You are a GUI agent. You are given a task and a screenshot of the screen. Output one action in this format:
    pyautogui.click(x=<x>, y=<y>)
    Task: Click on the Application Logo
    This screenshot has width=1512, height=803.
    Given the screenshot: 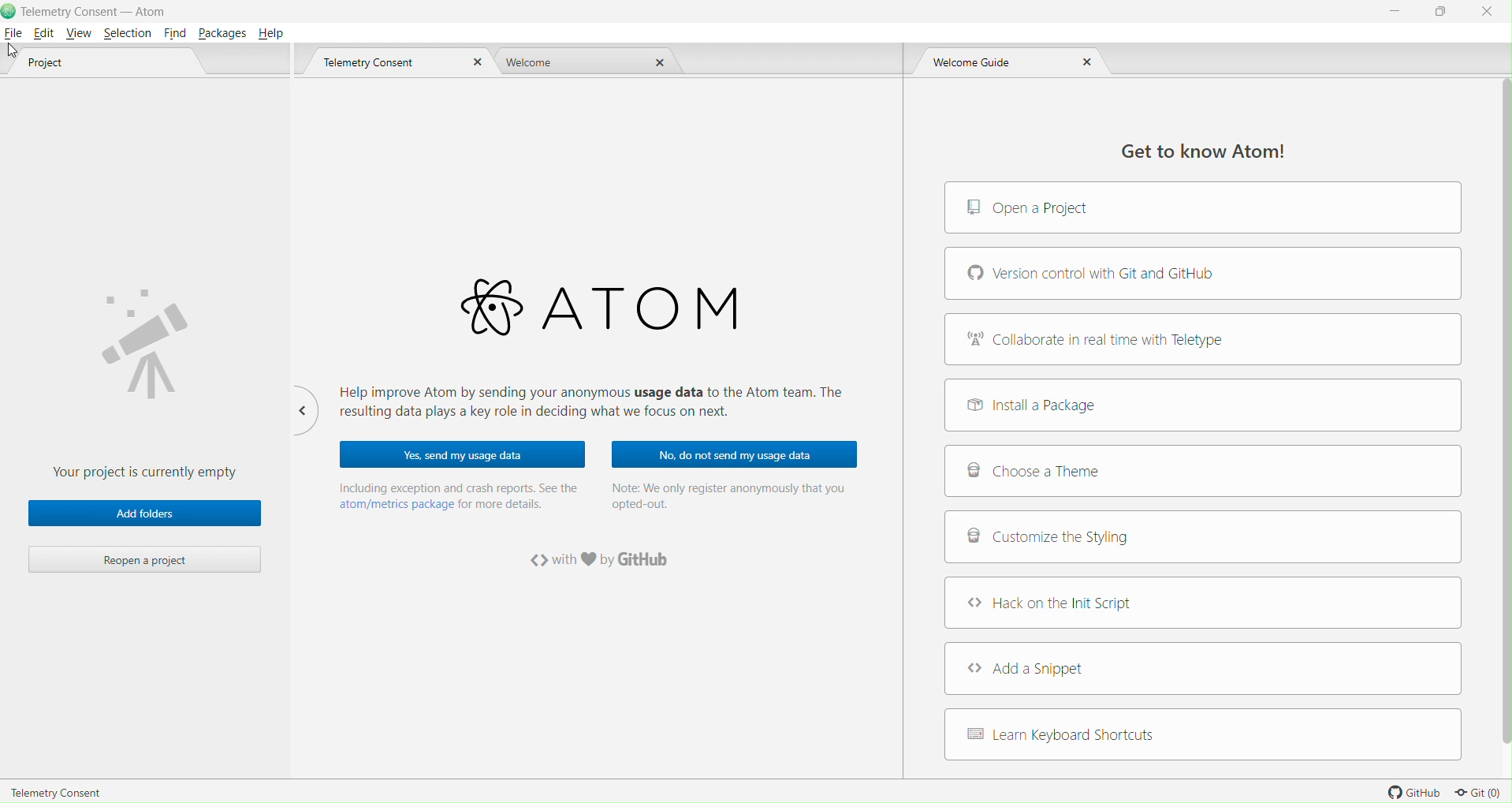 What is the action you would take?
    pyautogui.click(x=9, y=11)
    